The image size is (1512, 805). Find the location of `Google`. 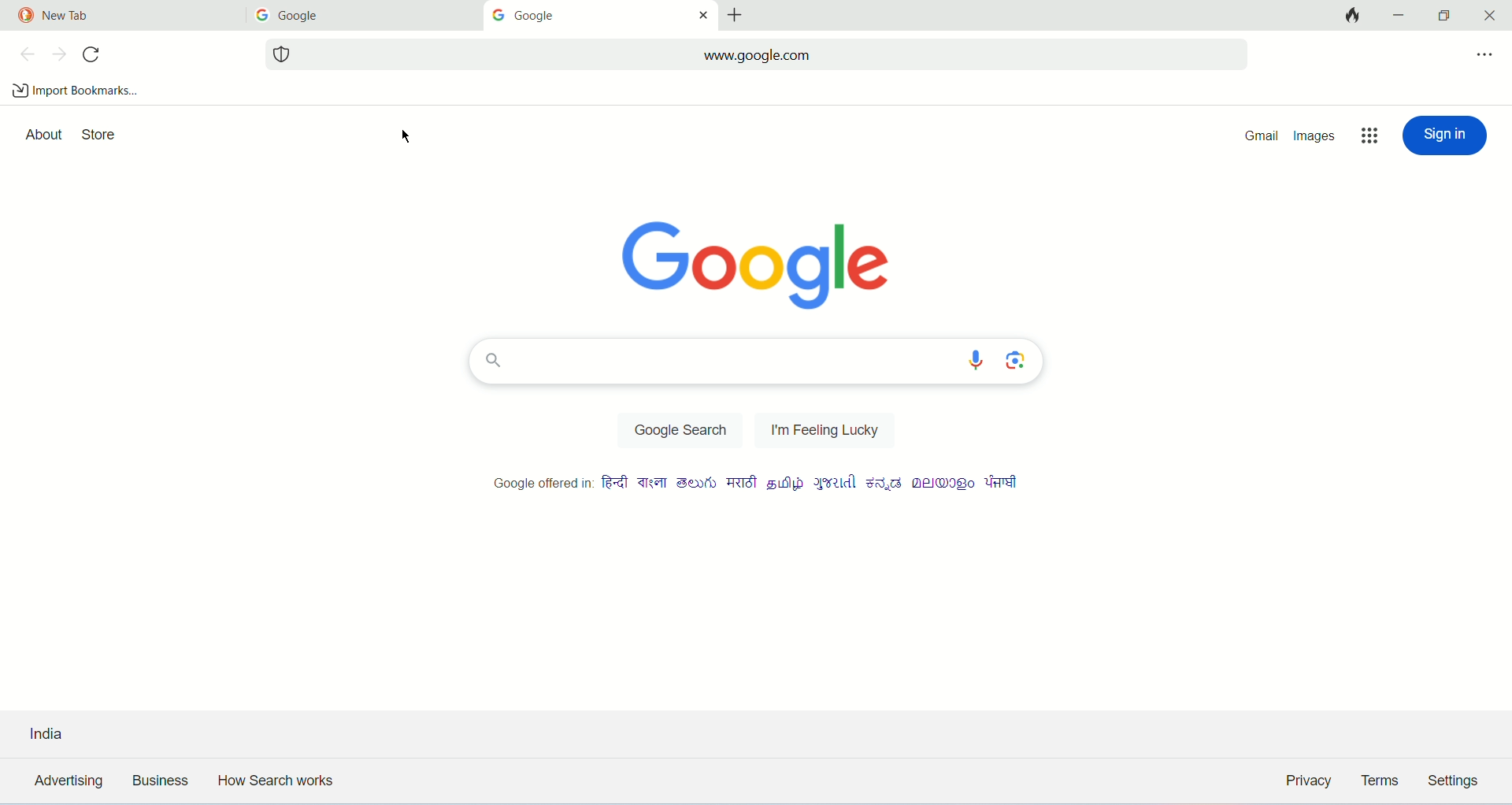

Google is located at coordinates (328, 16).